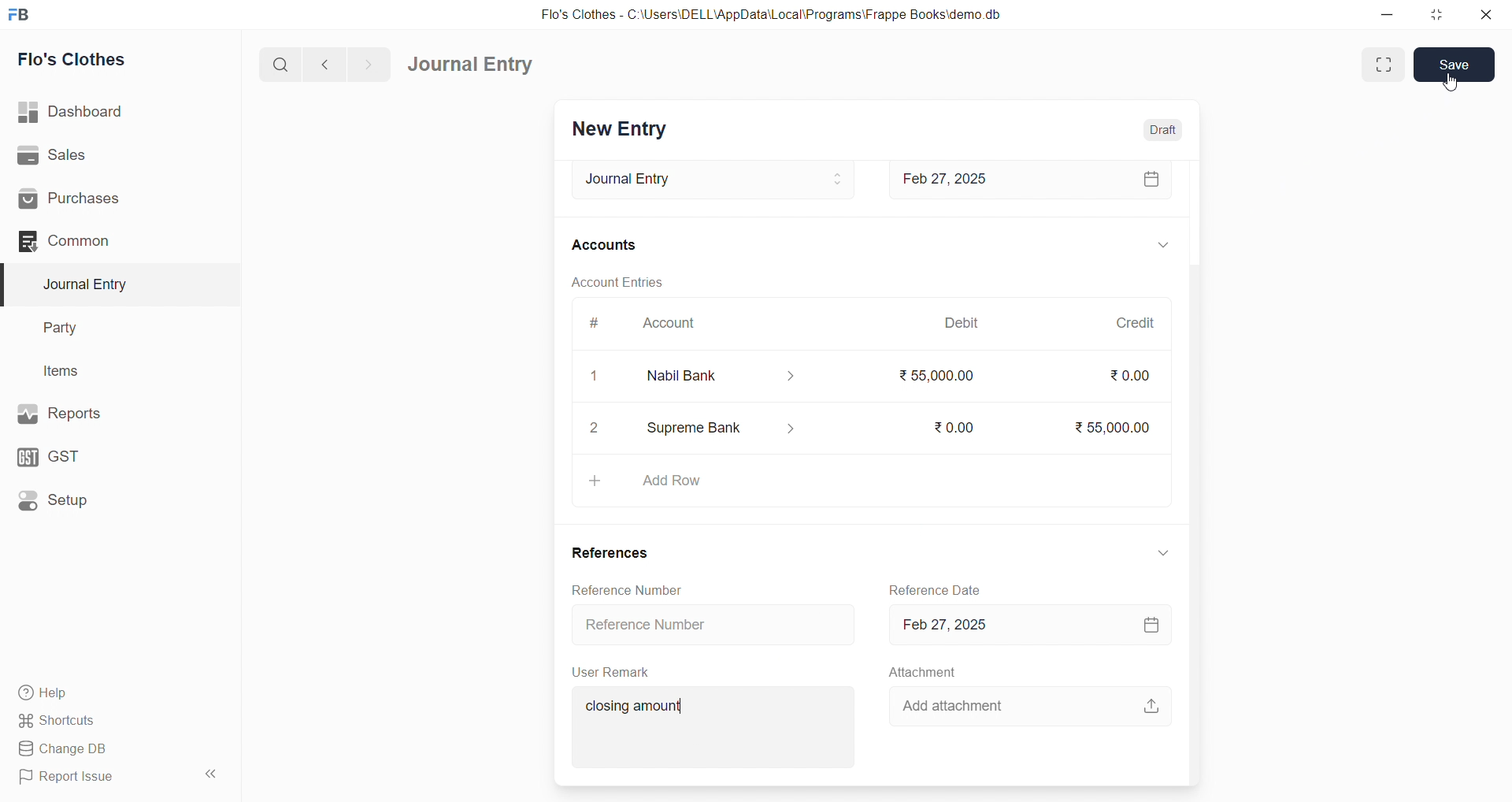 Image resolution: width=1512 pixels, height=802 pixels. Describe the element at coordinates (708, 180) in the screenshot. I see `Journal Entry` at that location.